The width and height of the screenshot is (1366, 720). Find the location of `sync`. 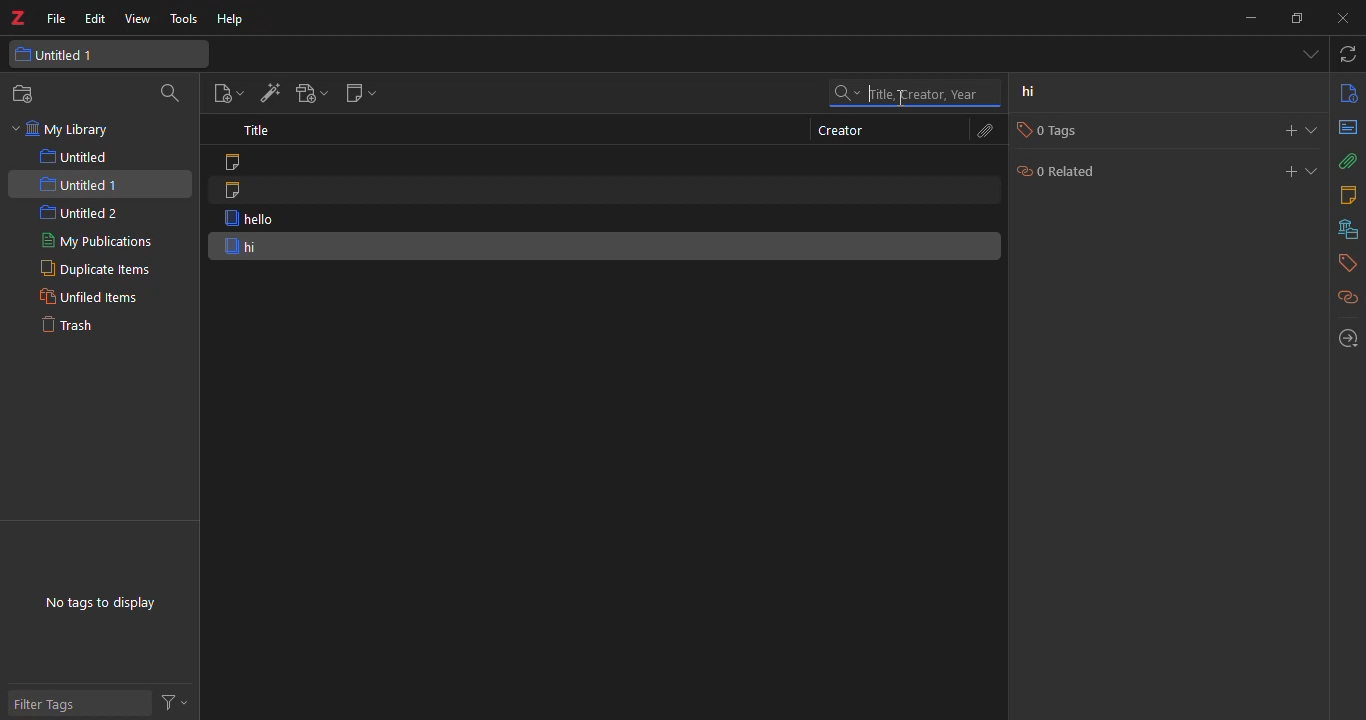

sync is located at coordinates (1345, 54).